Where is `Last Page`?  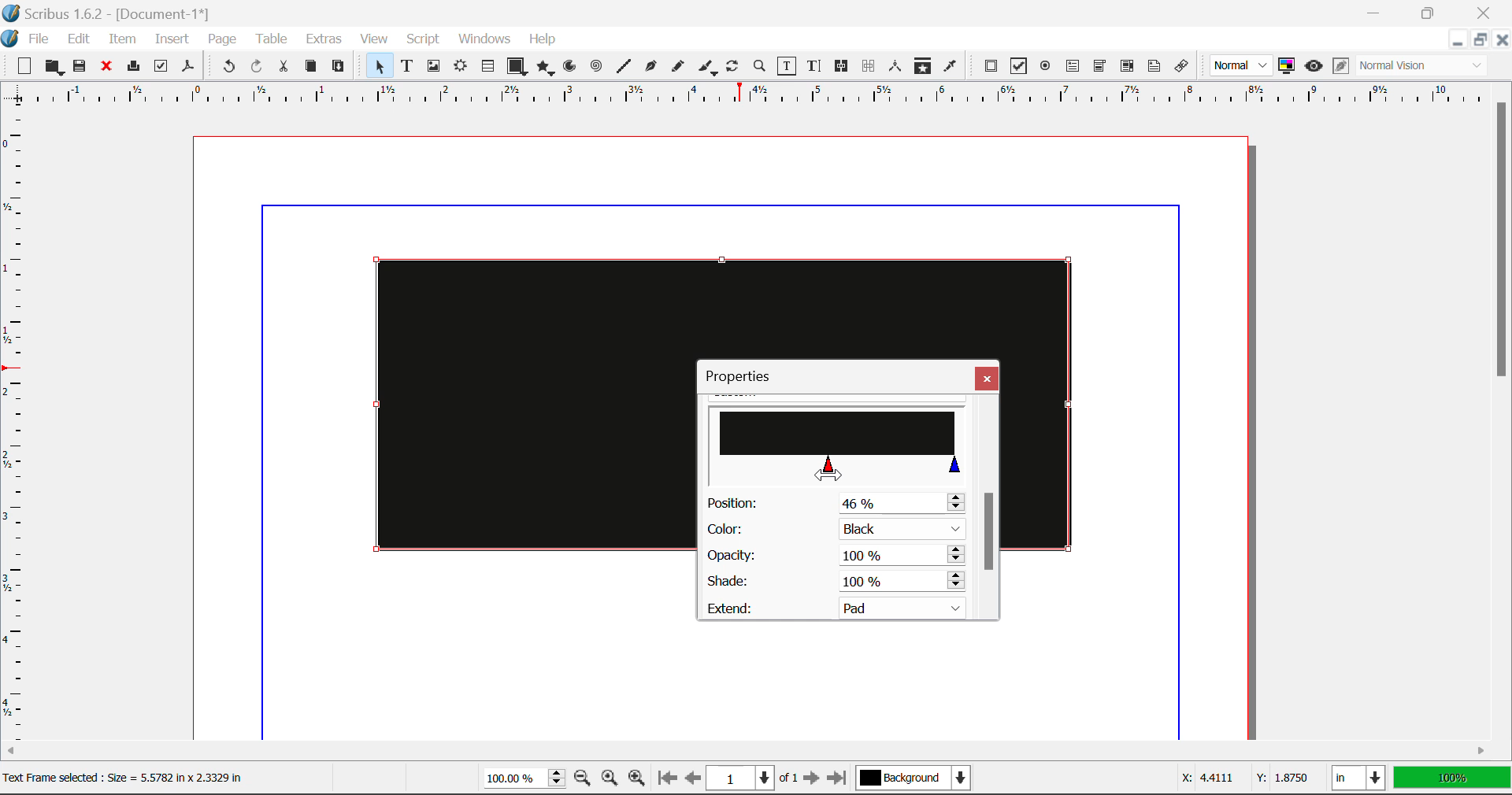 Last Page is located at coordinates (840, 781).